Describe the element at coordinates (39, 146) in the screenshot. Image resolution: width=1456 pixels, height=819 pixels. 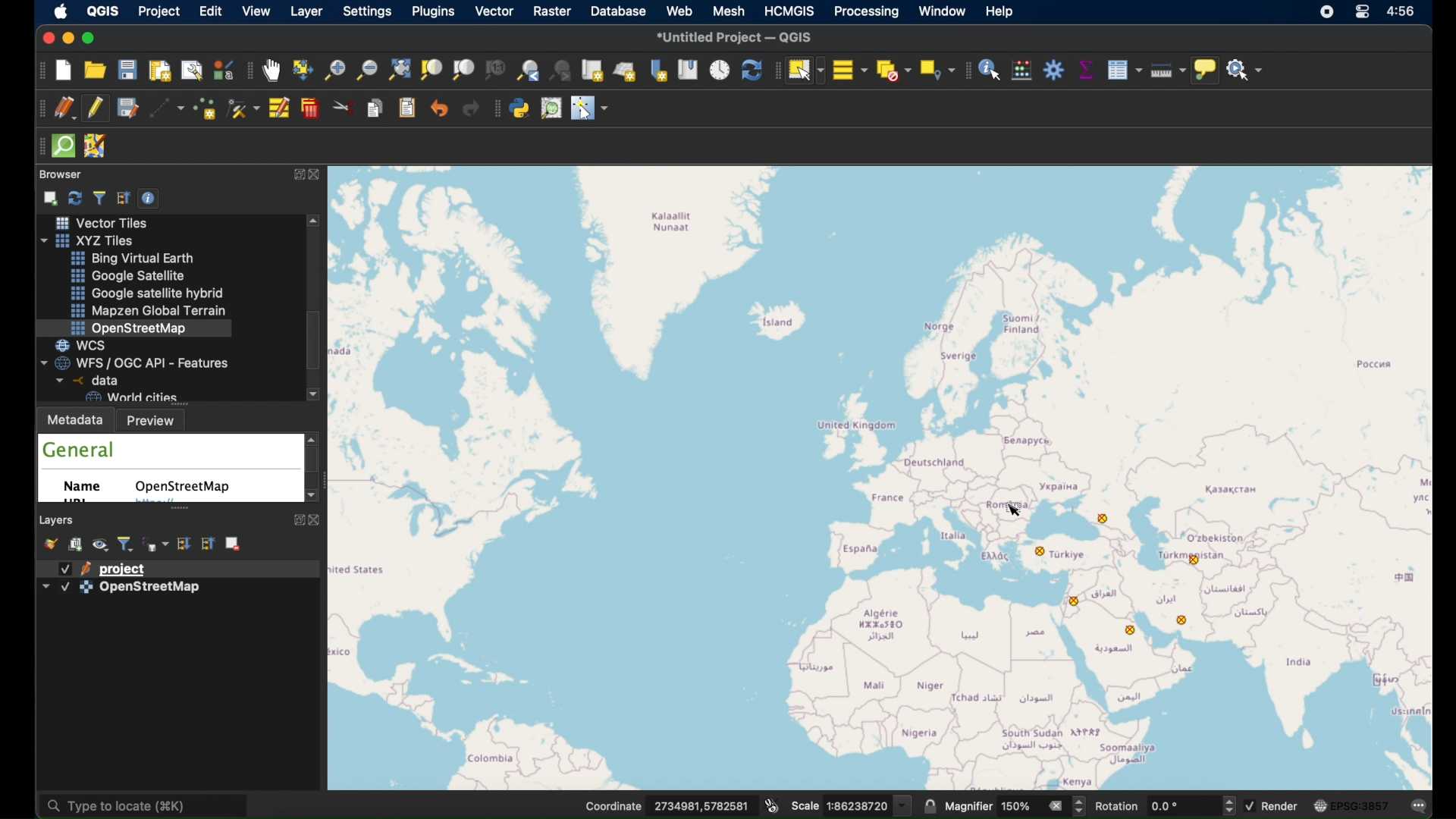
I see `drag handle` at that location.